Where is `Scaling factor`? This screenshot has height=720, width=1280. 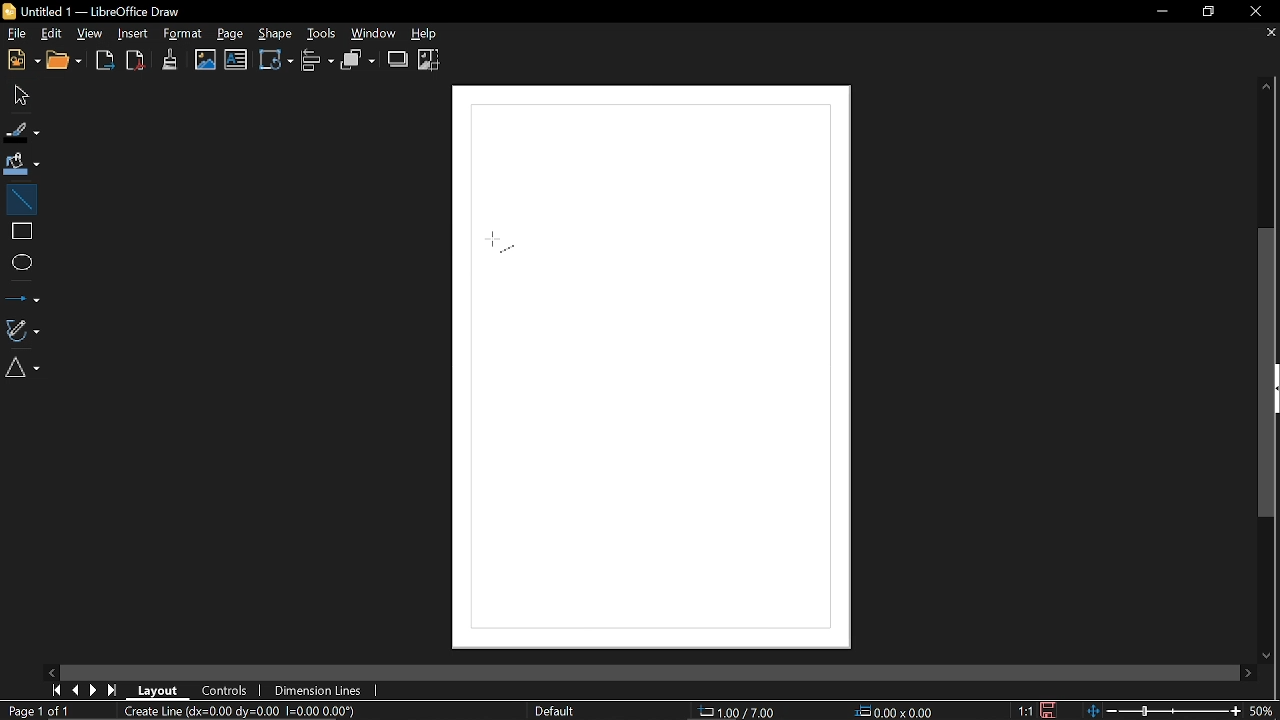 Scaling factor is located at coordinates (1024, 711).